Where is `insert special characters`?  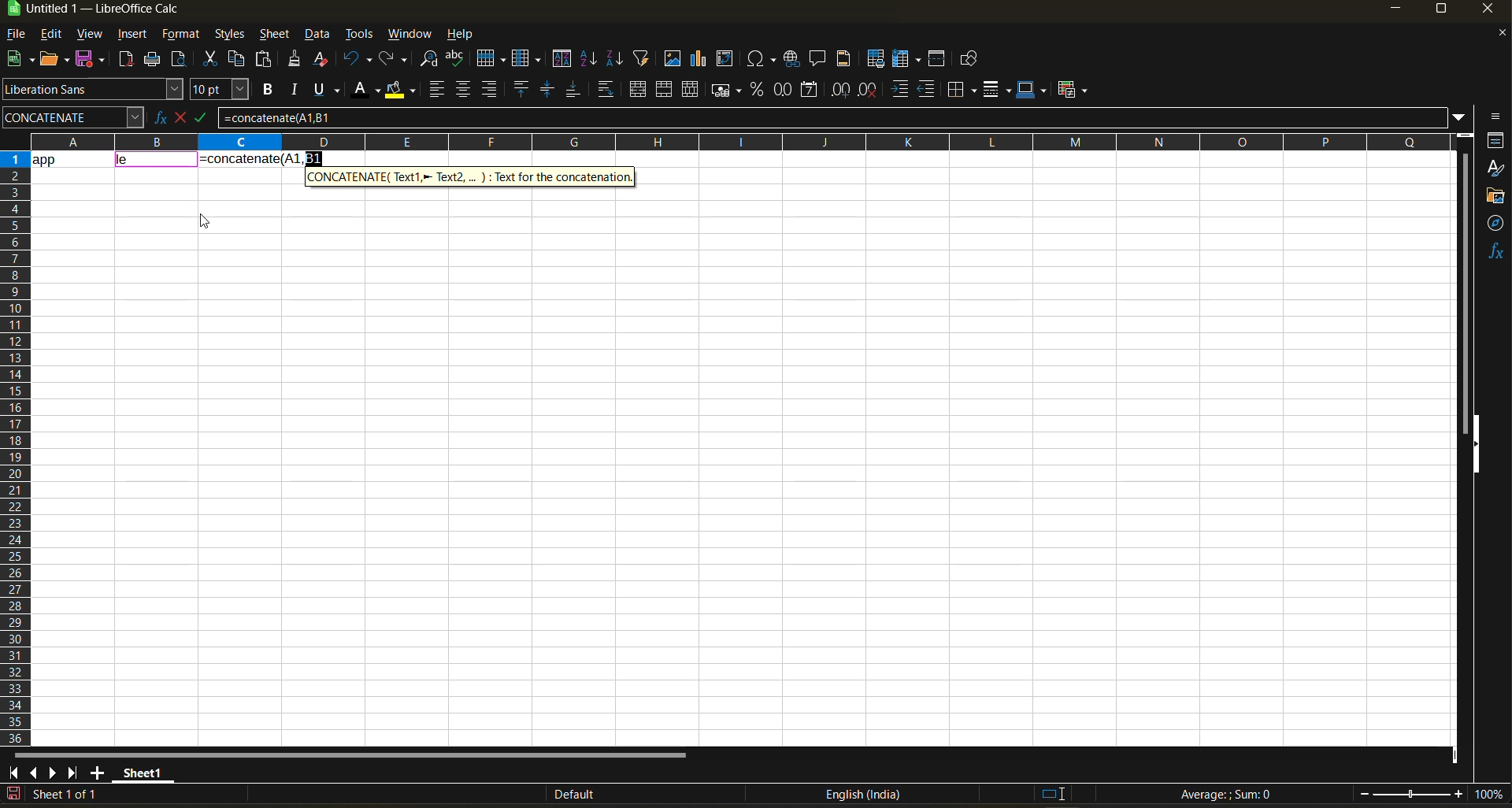 insert special characters is located at coordinates (765, 60).